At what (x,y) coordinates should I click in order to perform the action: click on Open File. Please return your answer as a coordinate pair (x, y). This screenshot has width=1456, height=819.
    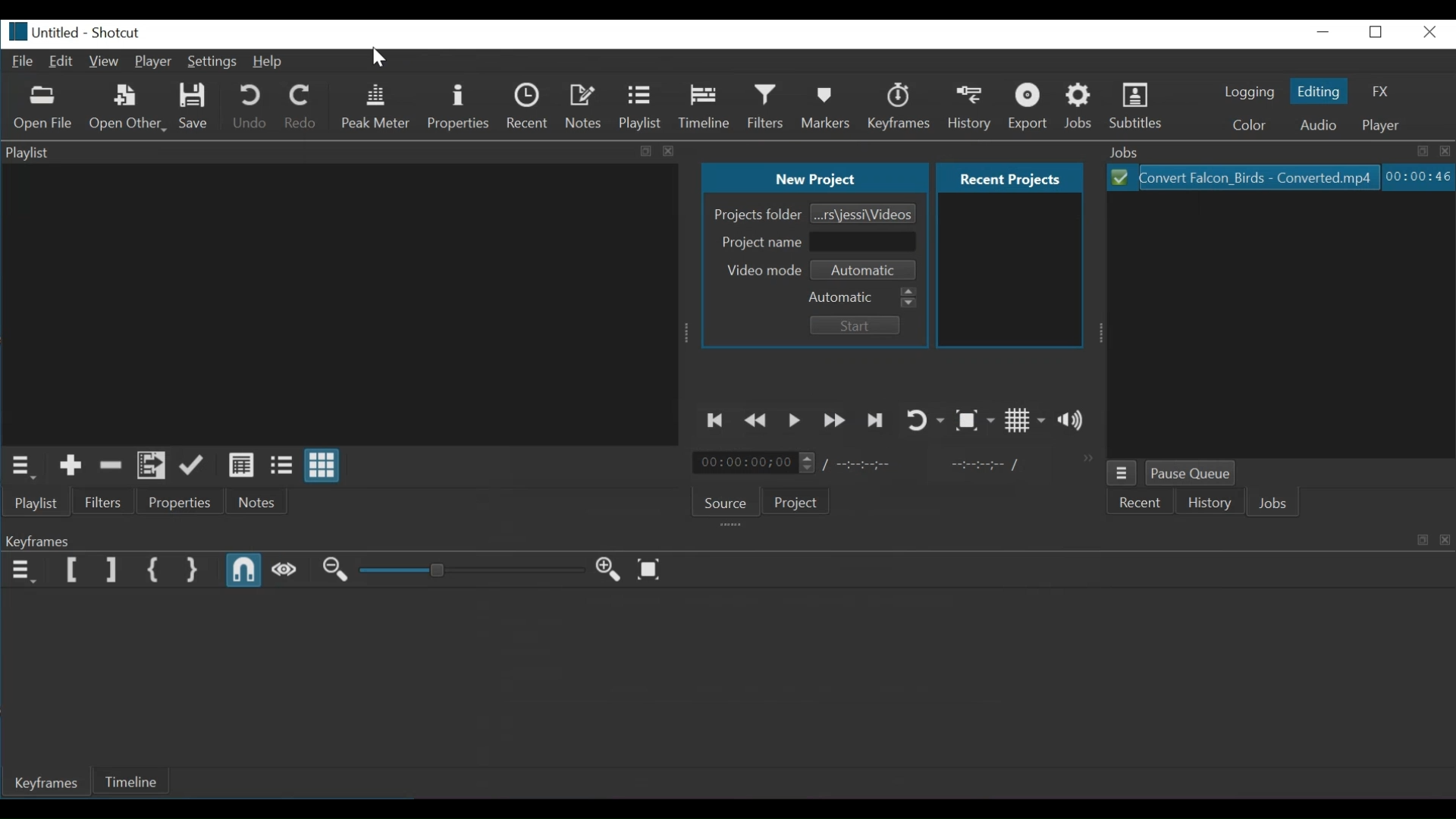
    Looking at the image, I should click on (48, 108).